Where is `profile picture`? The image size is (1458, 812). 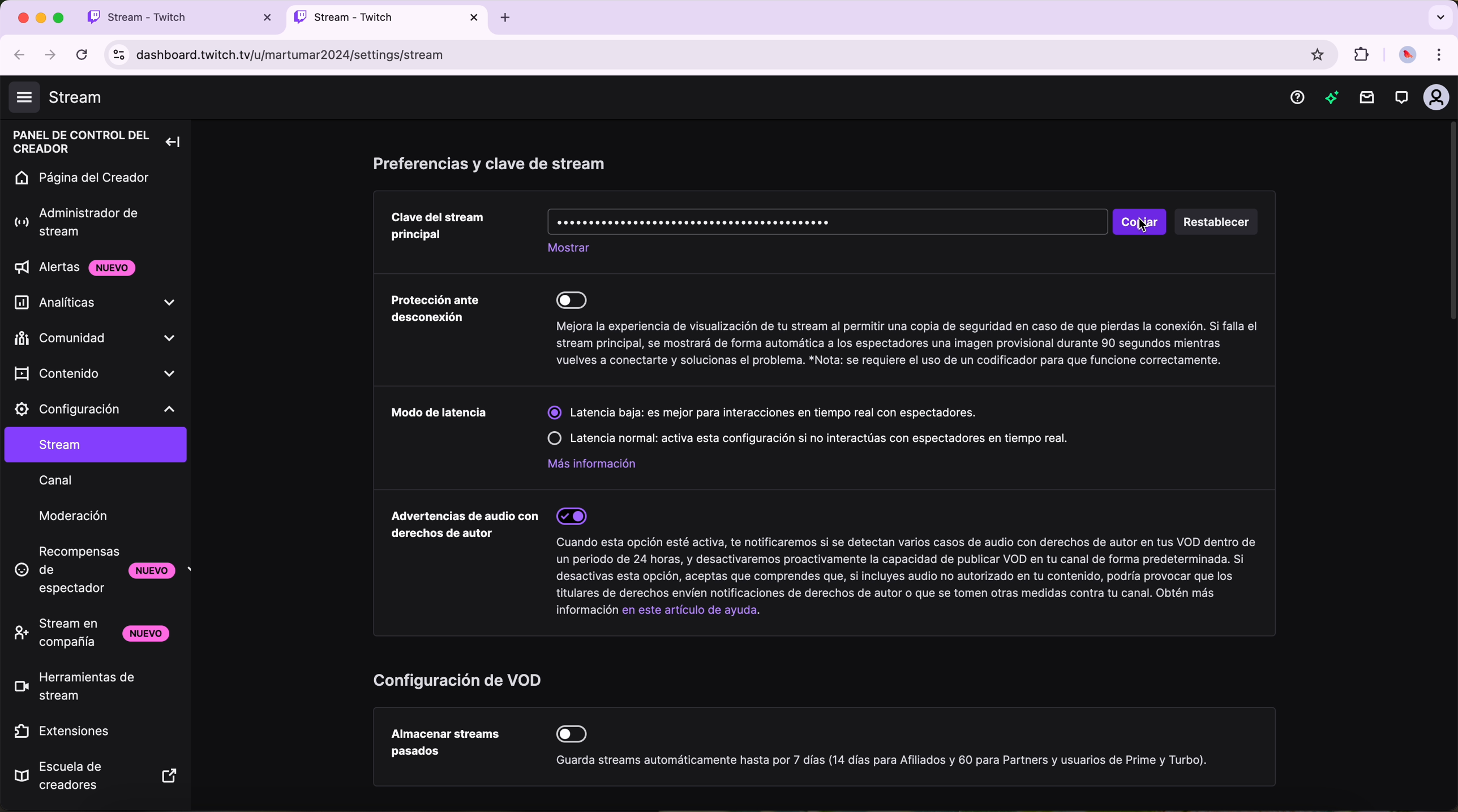
profile picture is located at coordinates (1403, 56).